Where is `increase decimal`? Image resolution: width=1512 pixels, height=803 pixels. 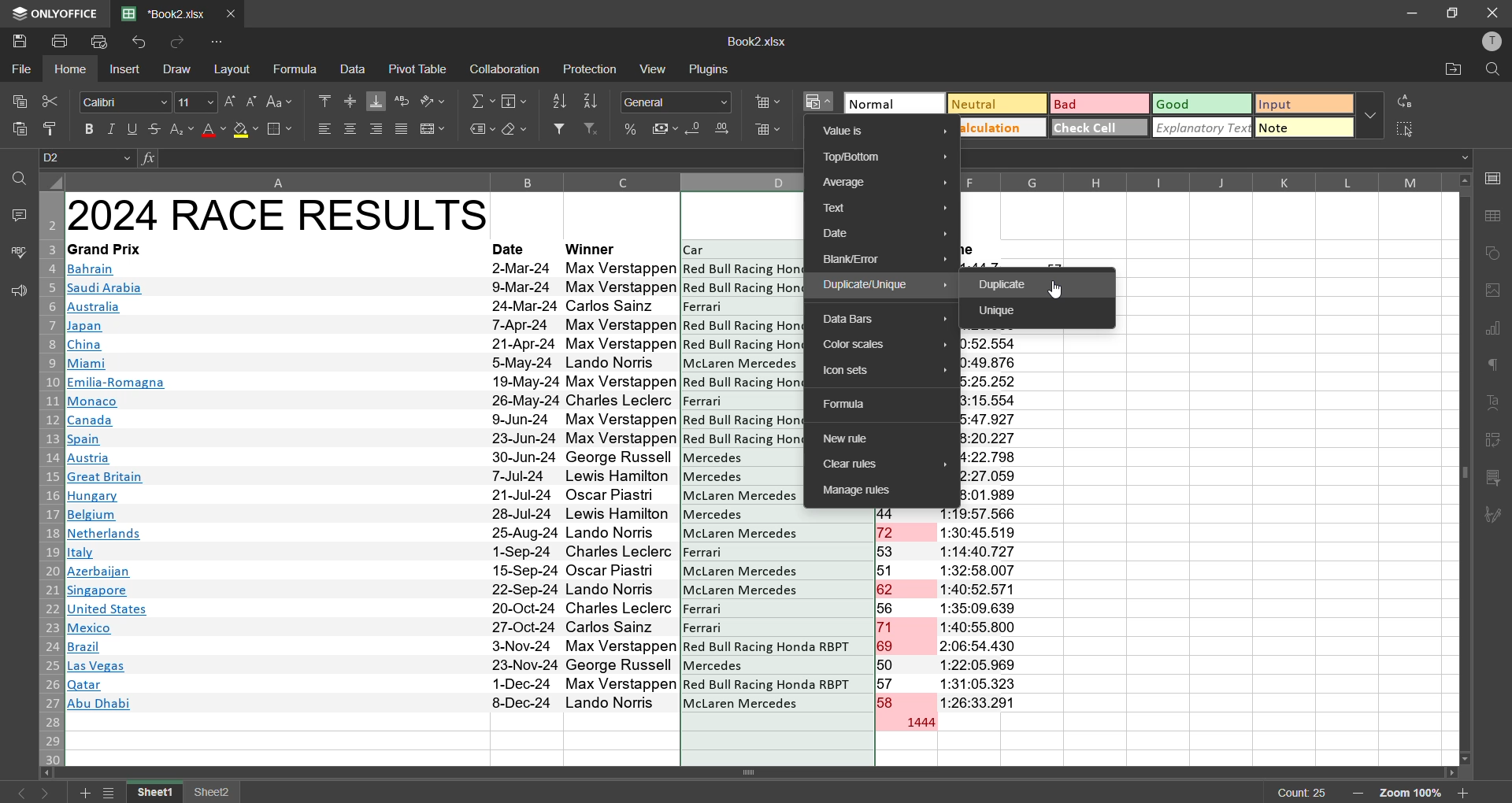 increase decimal is located at coordinates (724, 128).